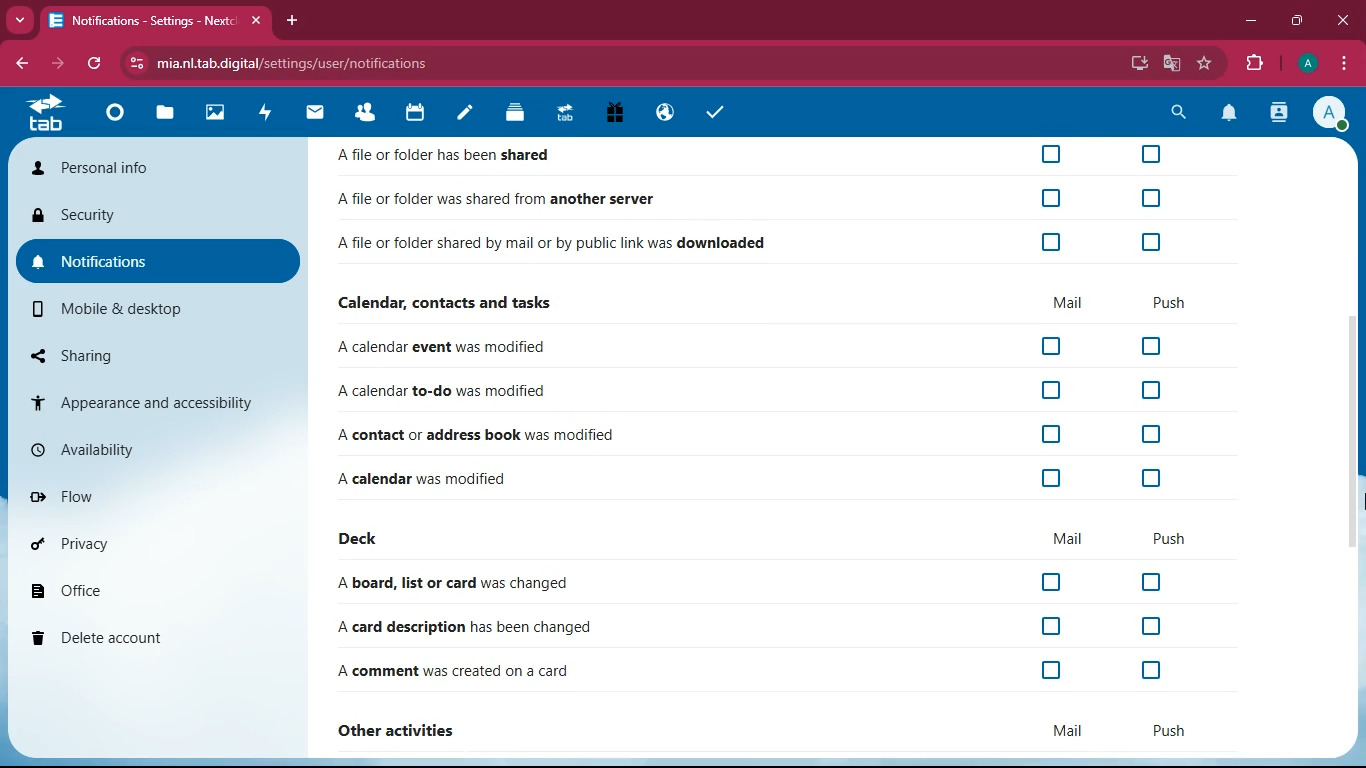 This screenshot has height=768, width=1366. I want to click on close, so click(260, 21).